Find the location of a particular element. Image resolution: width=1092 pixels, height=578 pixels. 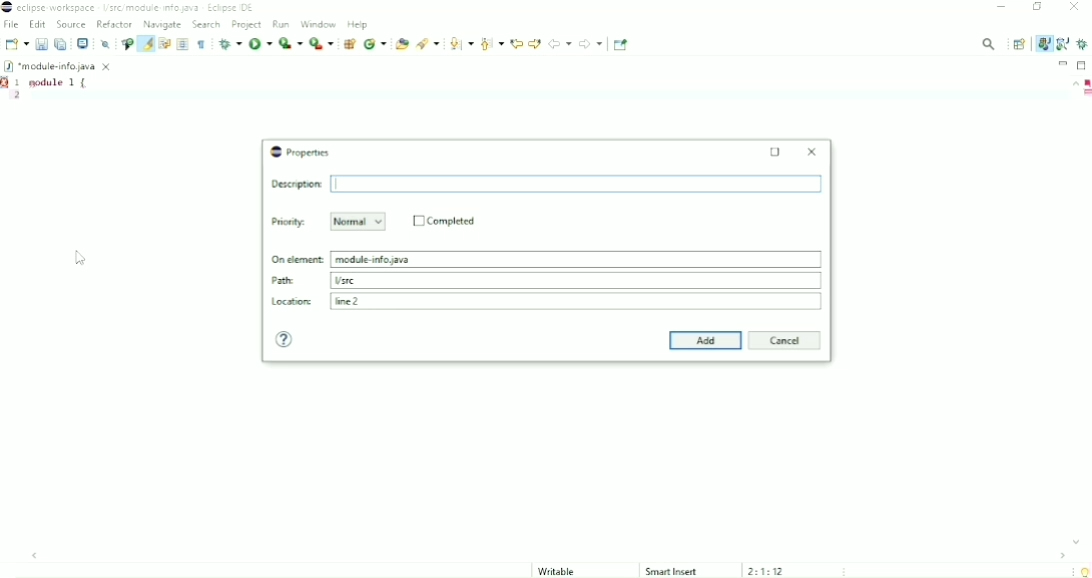

Cancel is located at coordinates (786, 341).